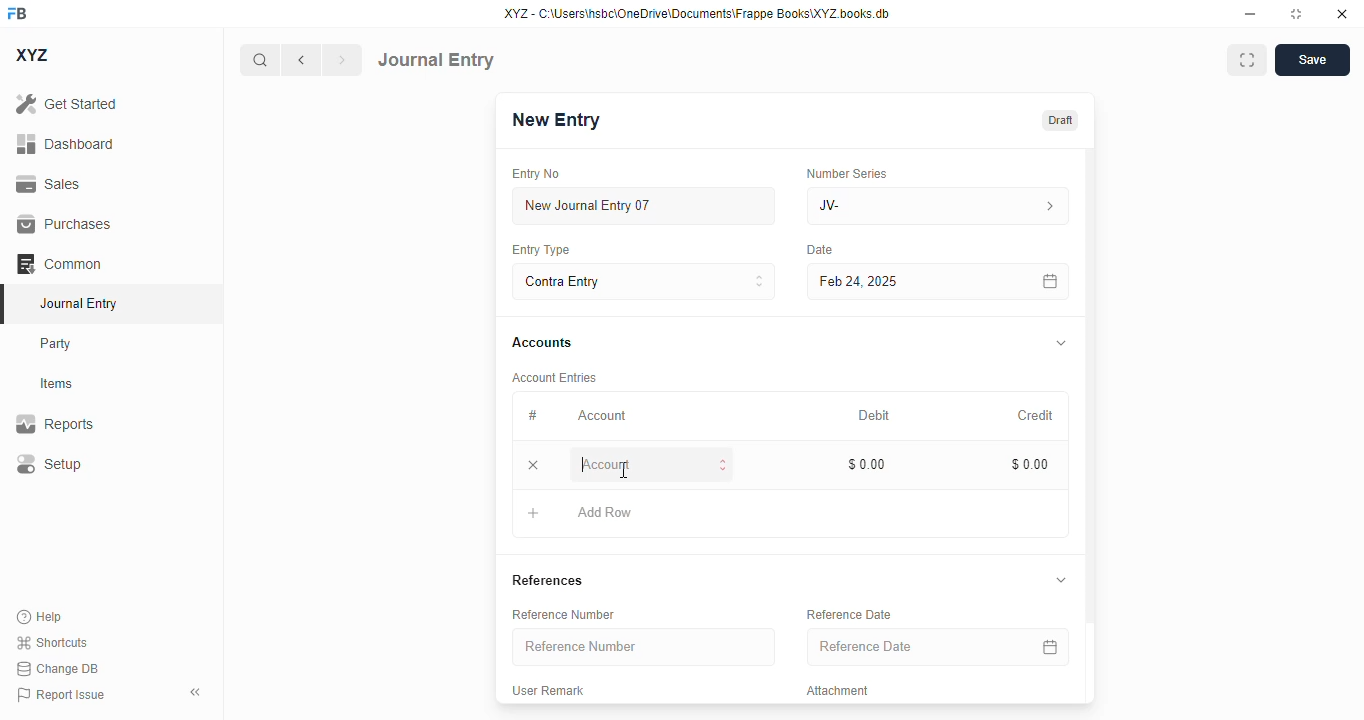 The width and height of the screenshot is (1364, 720). What do you see at coordinates (537, 173) in the screenshot?
I see `entry no` at bounding box center [537, 173].